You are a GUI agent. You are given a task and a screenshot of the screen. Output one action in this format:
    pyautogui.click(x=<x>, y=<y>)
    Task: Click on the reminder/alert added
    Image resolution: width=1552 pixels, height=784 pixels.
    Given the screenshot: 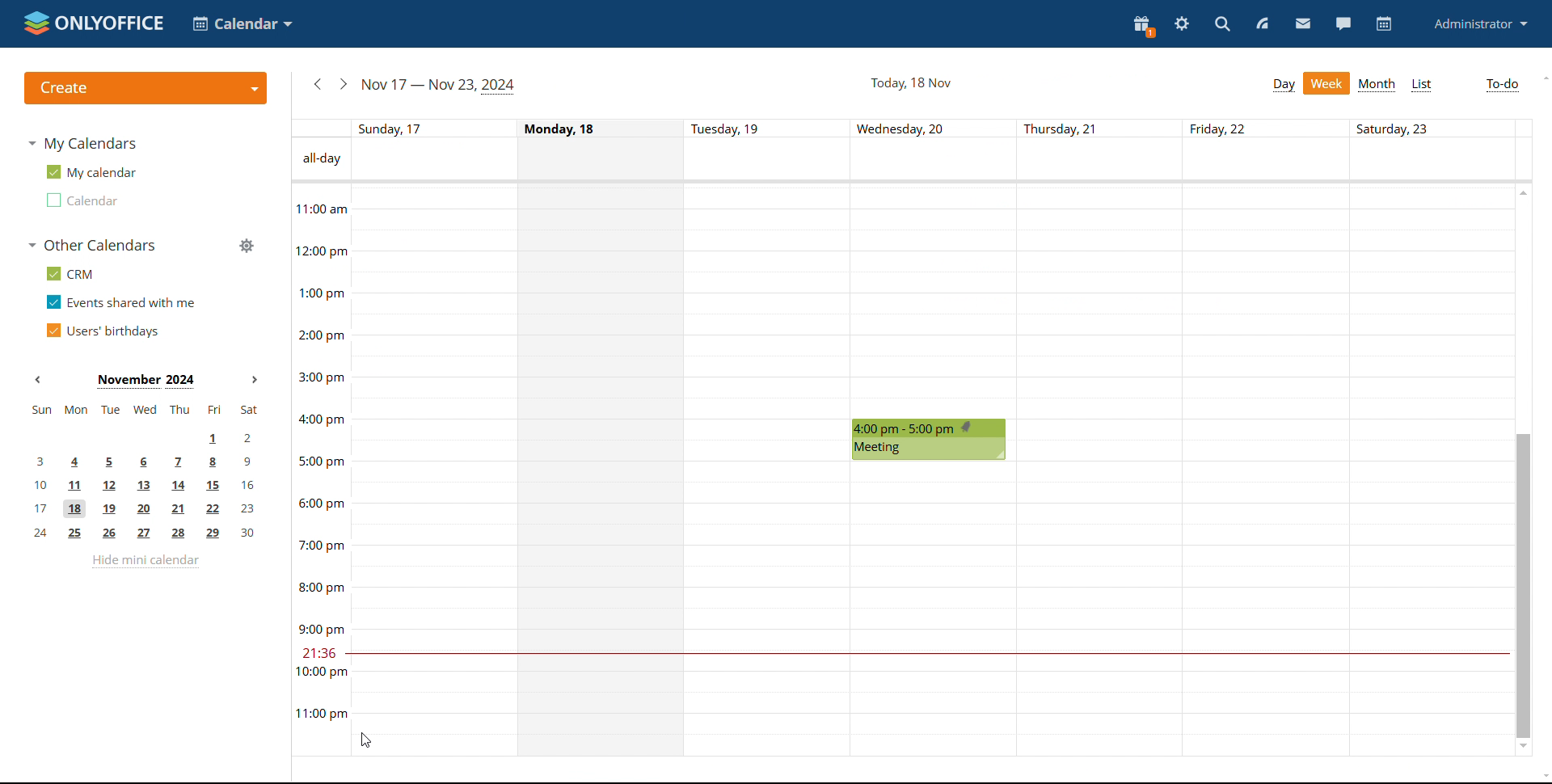 What is the action you would take?
    pyautogui.click(x=968, y=428)
    